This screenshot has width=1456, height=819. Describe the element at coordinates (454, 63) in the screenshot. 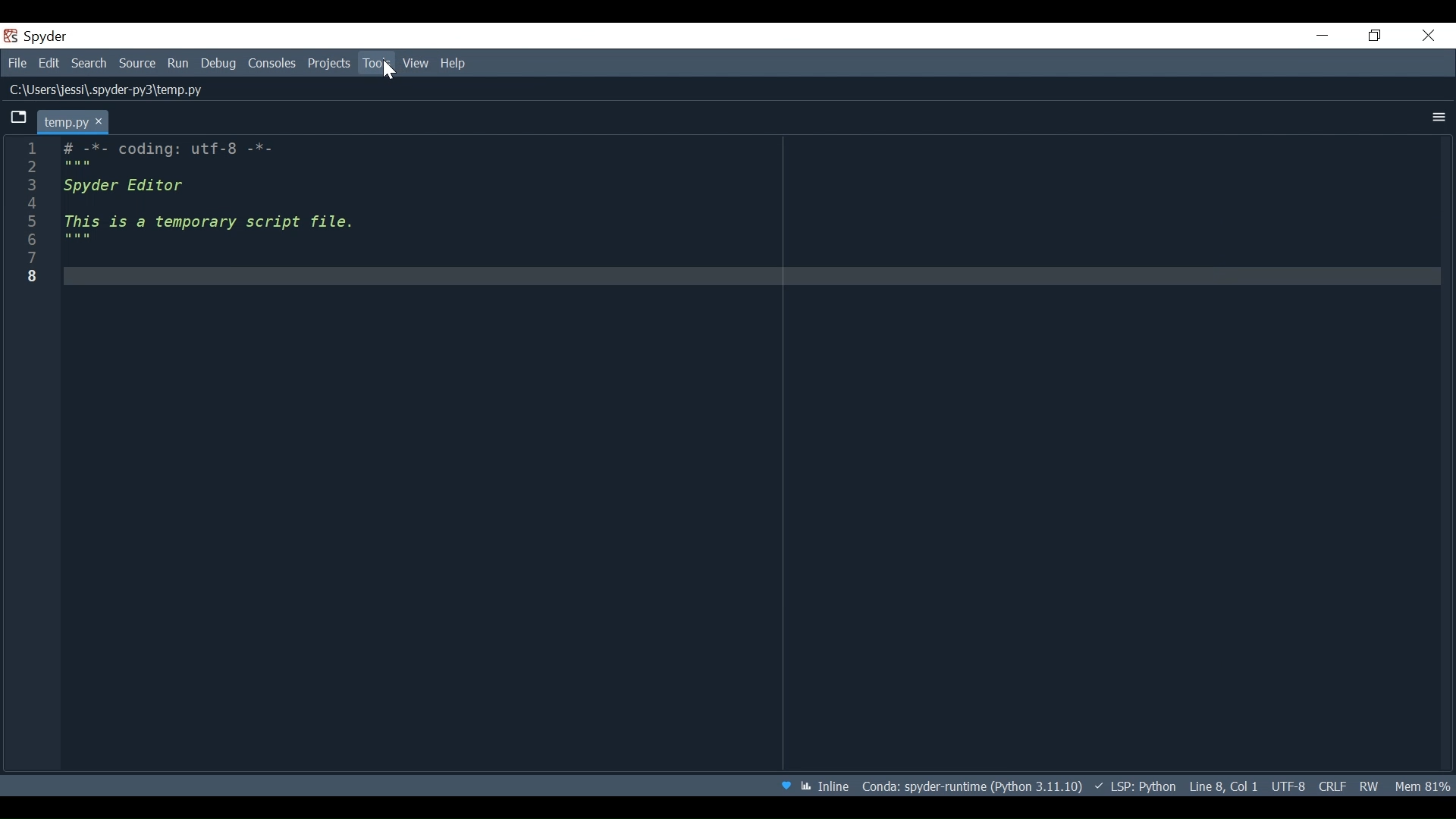

I see `Help` at that location.